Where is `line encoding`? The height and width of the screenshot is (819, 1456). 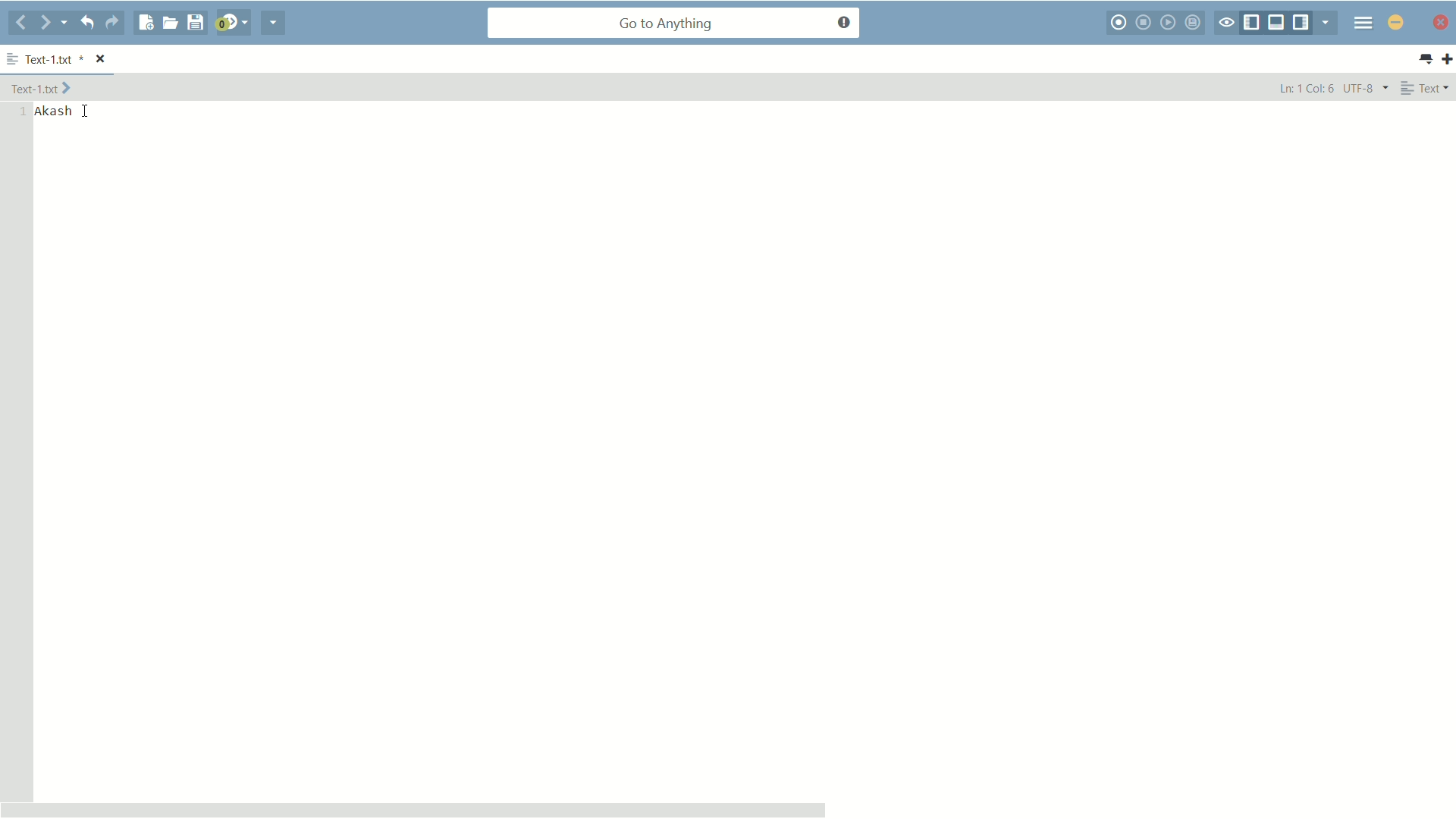 line encoding is located at coordinates (1367, 87).